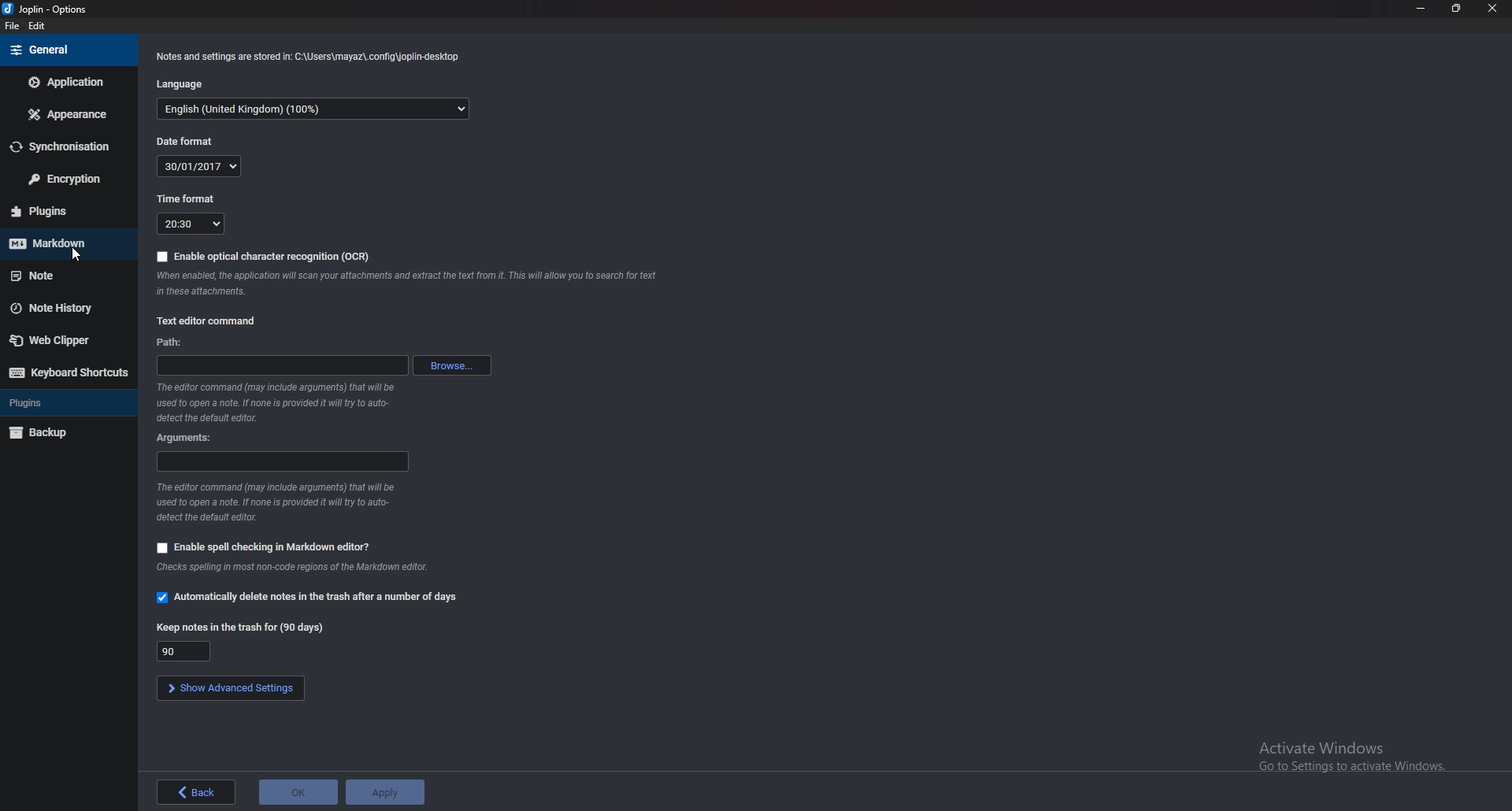  What do you see at coordinates (315, 110) in the screenshot?
I see `Language` at bounding box center [315, 110].